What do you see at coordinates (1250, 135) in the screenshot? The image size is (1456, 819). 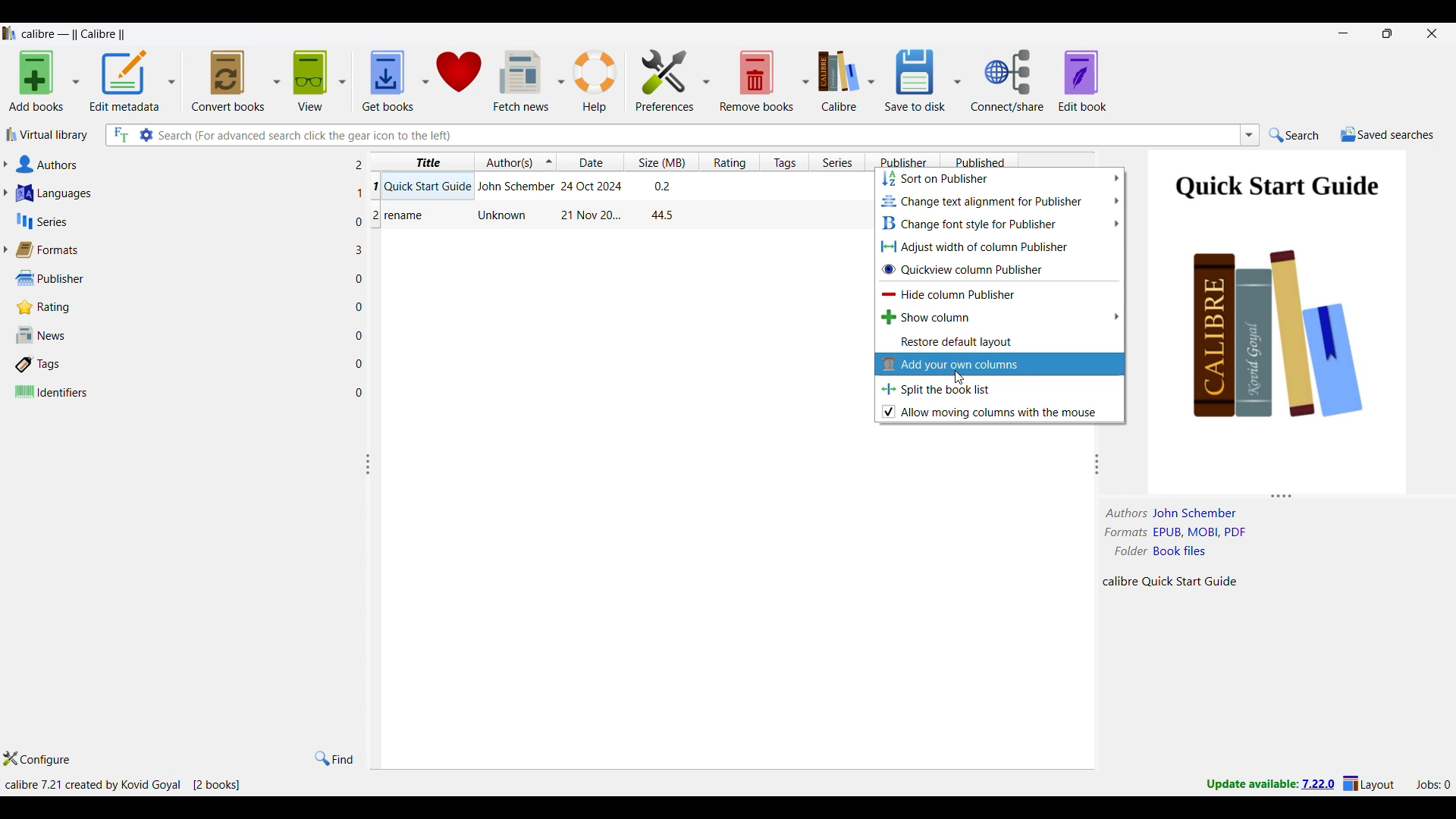 I see `List searches` at bounding box center [1250, 135].